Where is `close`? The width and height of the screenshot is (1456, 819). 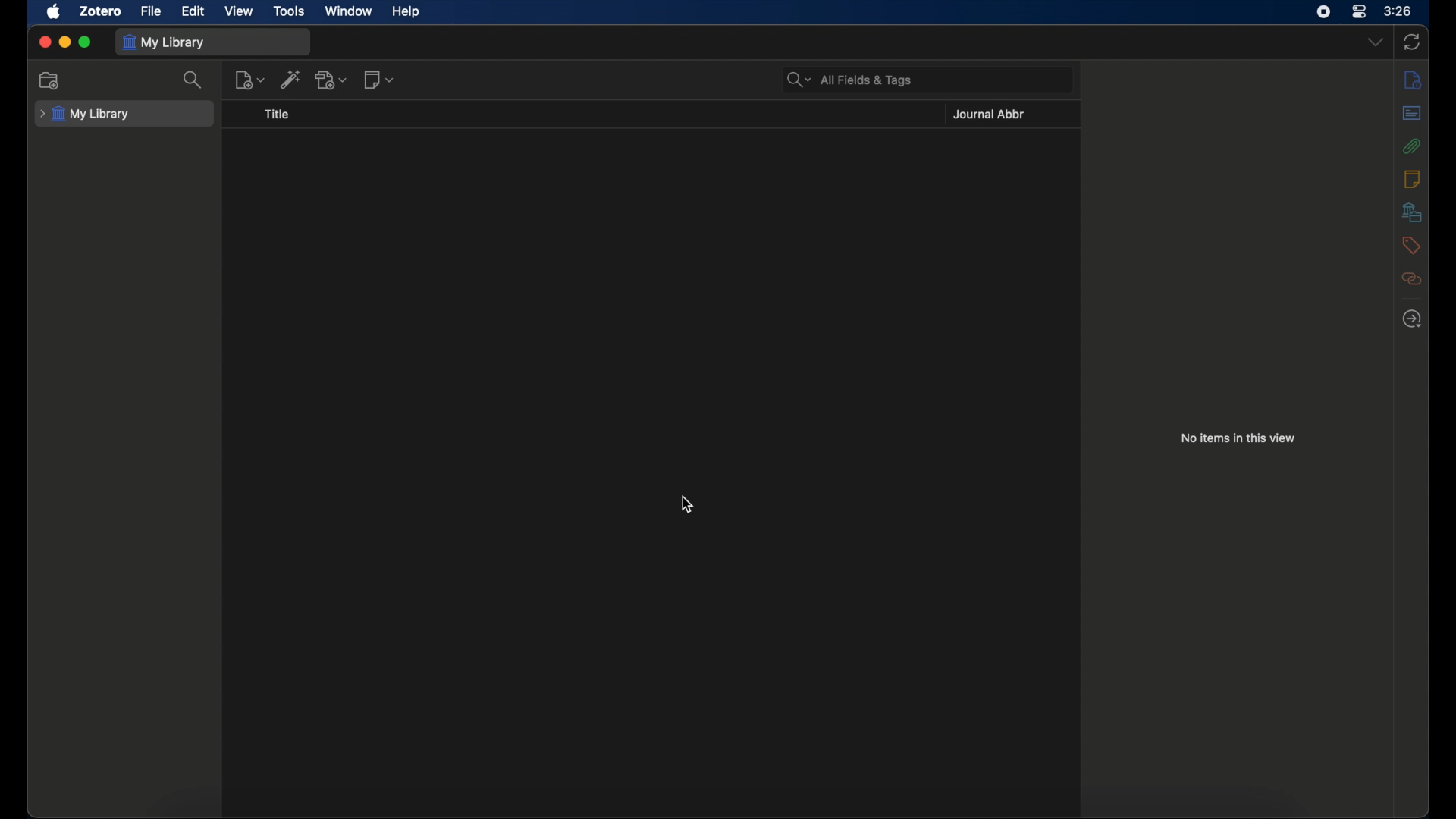 close is located at coordinates (44, 42).